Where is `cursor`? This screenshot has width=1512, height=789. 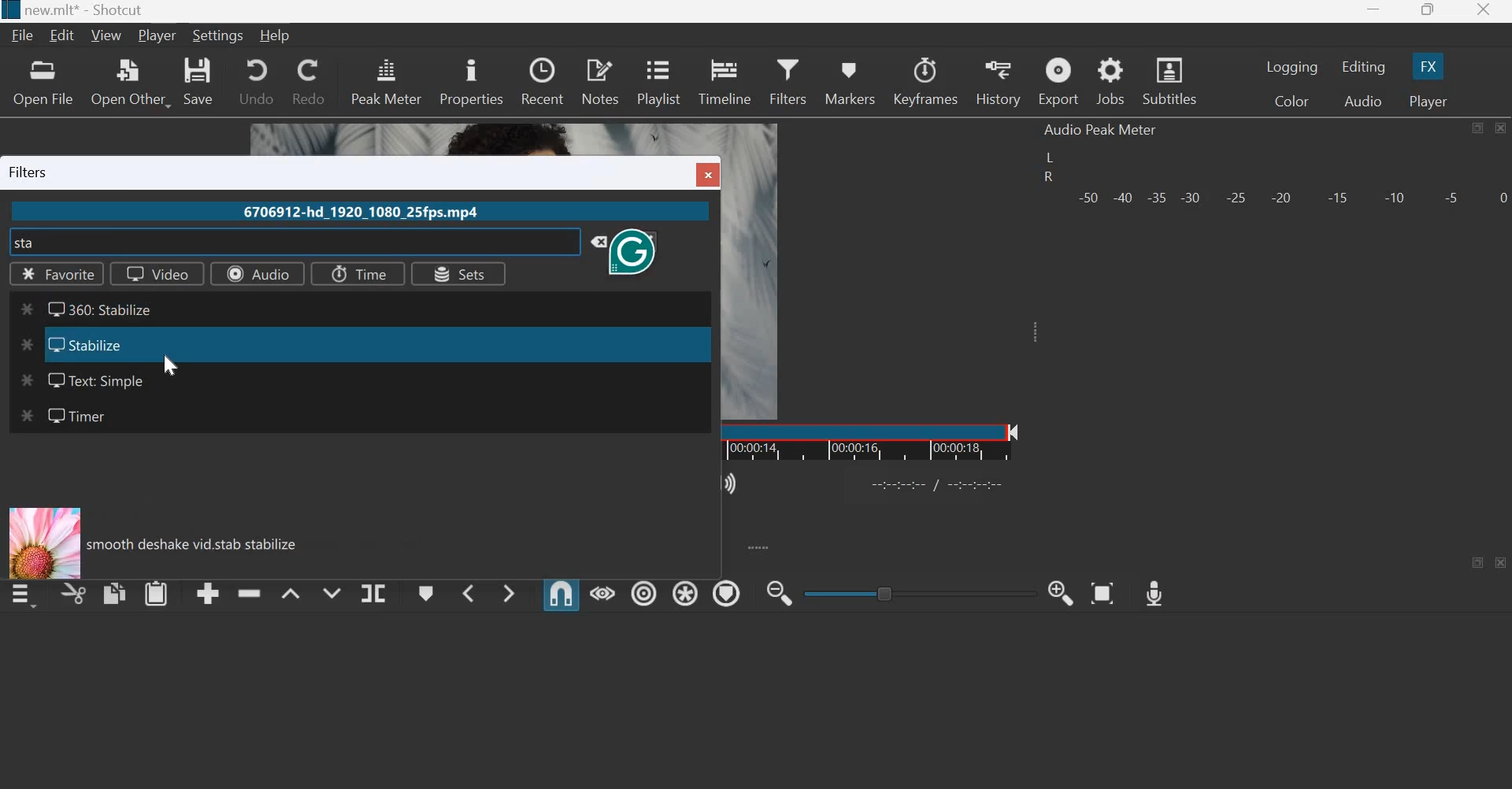 cursor is located at coordinates (123, 246).